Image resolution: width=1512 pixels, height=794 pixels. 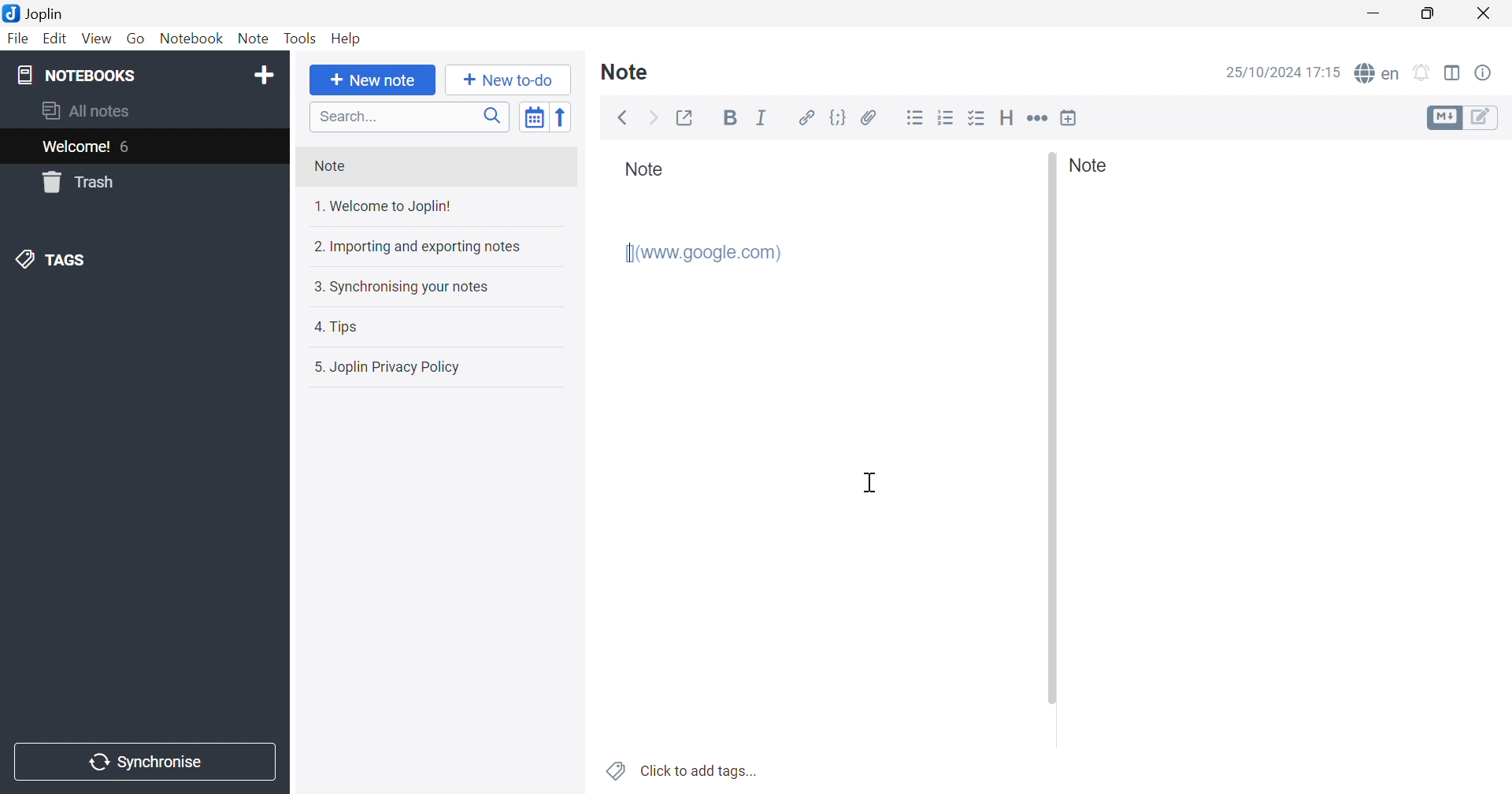 I want to click on Reverse sort order, so click(x=565, y=117).